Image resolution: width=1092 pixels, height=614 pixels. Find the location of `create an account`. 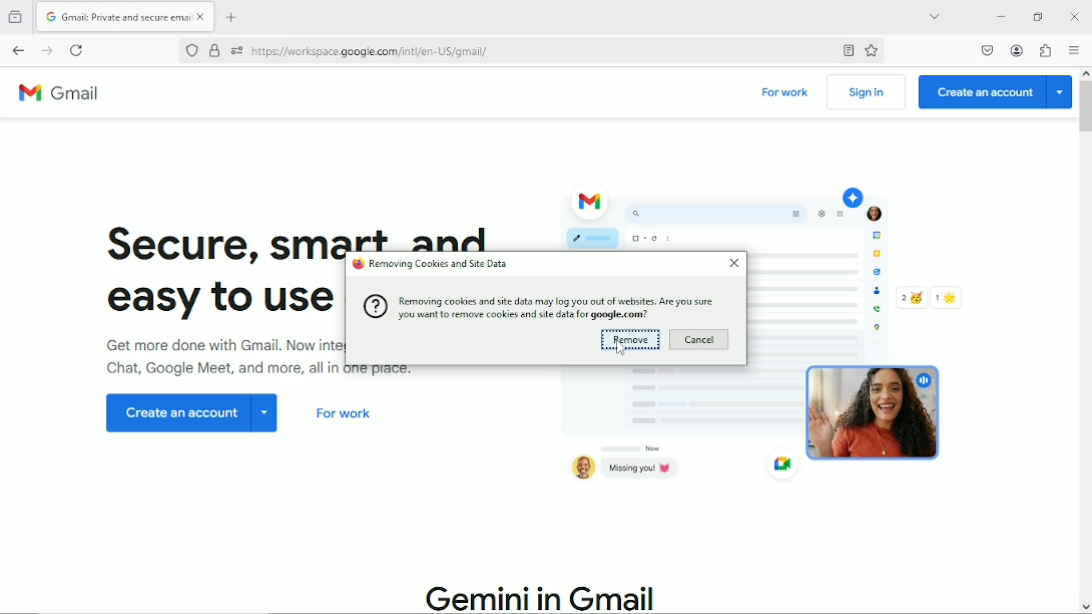

create an account is located at coordinates (184, 419).